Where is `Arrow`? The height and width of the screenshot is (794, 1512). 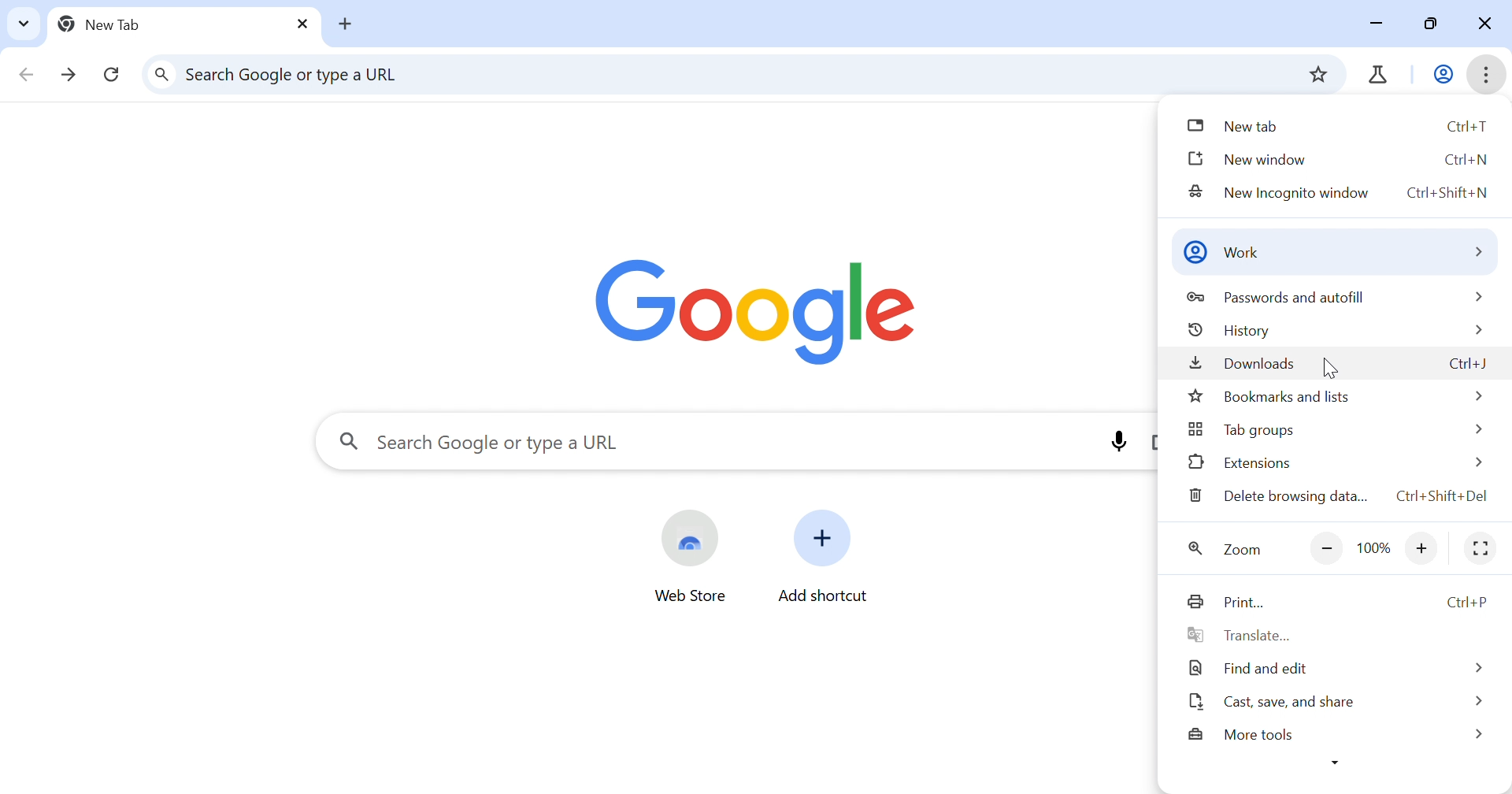
Arrow is located at coordinates (1475, 668).